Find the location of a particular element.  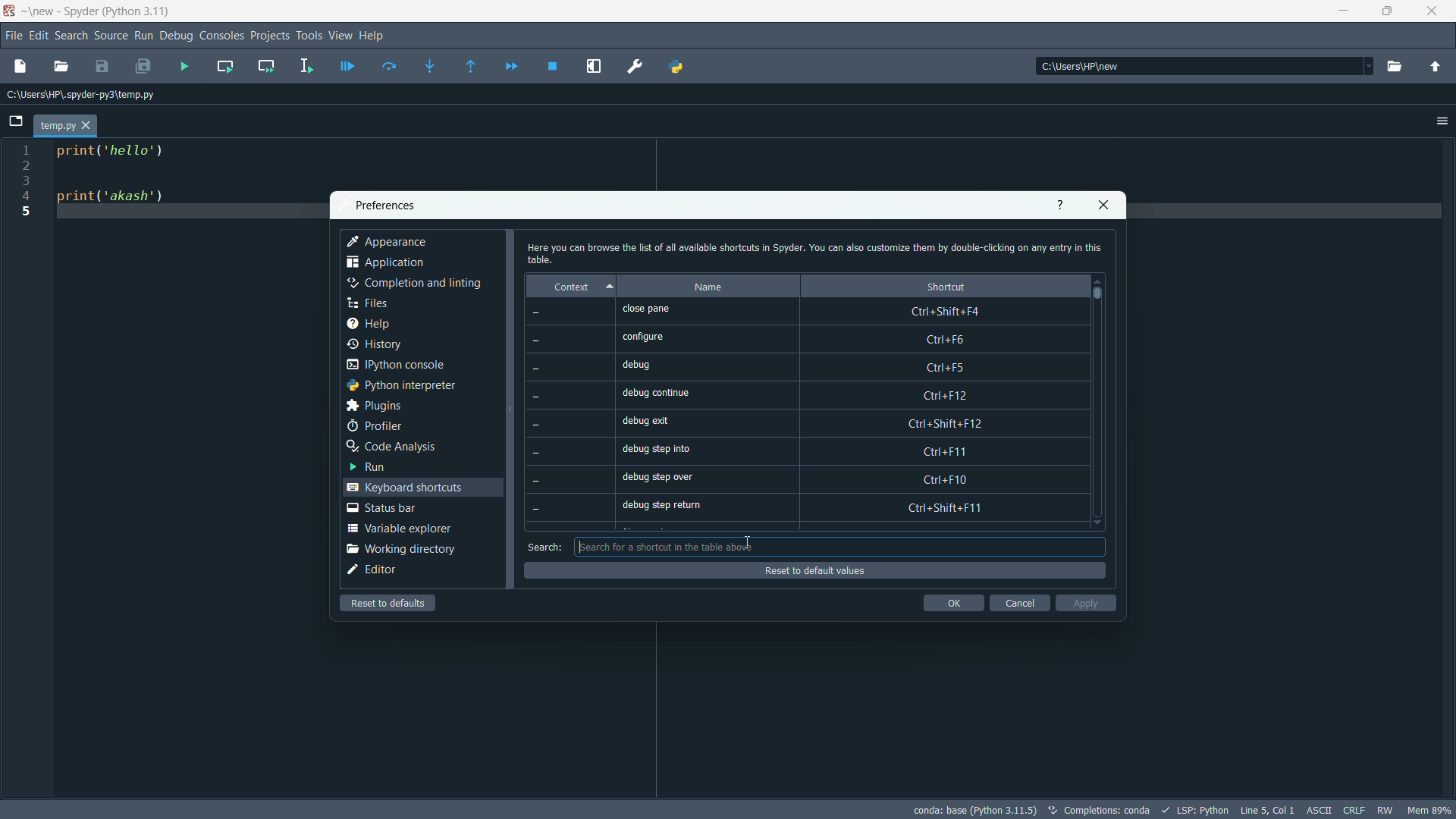

run current cell is located at coordinates (227, 65).